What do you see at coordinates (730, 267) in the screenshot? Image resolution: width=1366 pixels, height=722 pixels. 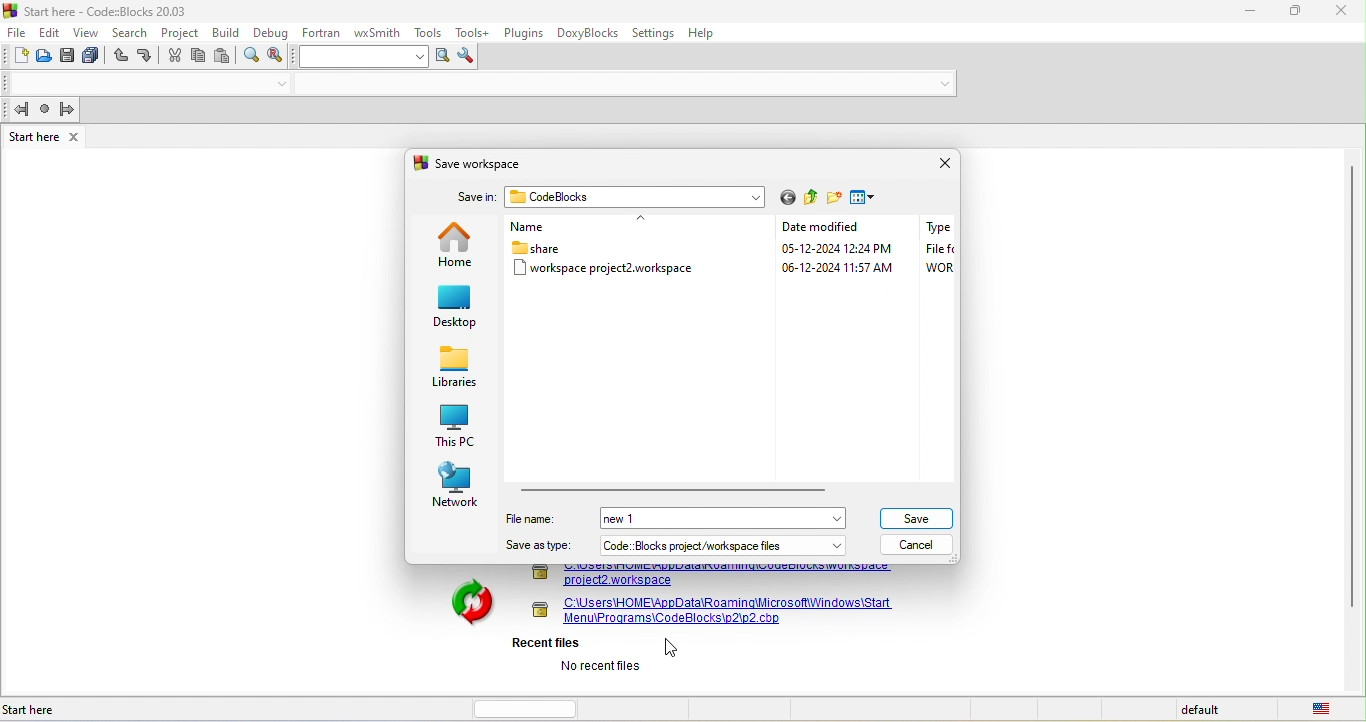 I see `workspace projects2.workspace 06-12-2024 11:57AM WOR` at bounding box center [730, 267].